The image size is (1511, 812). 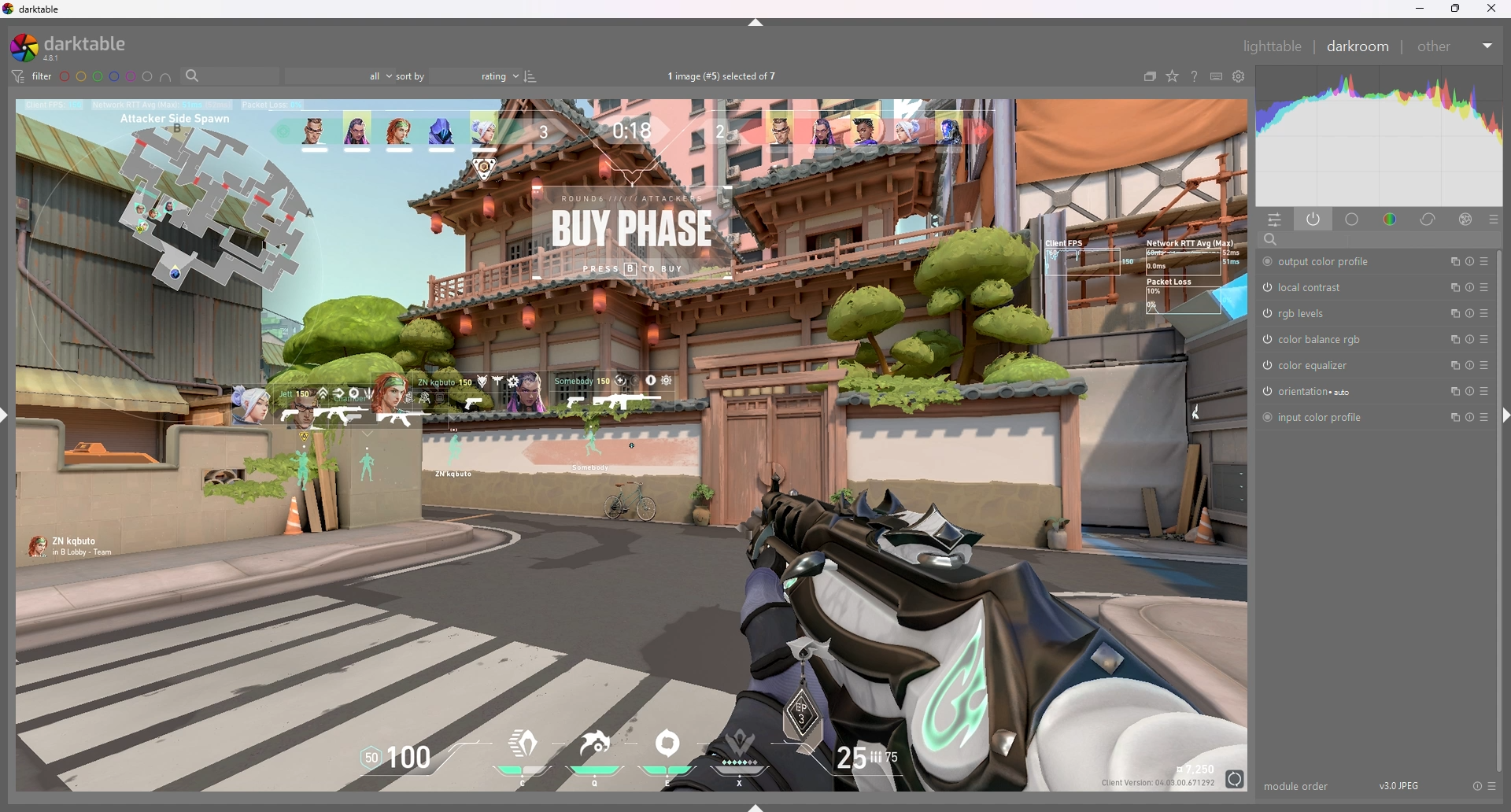 I want to click on hide, so click(x=757, y=23).